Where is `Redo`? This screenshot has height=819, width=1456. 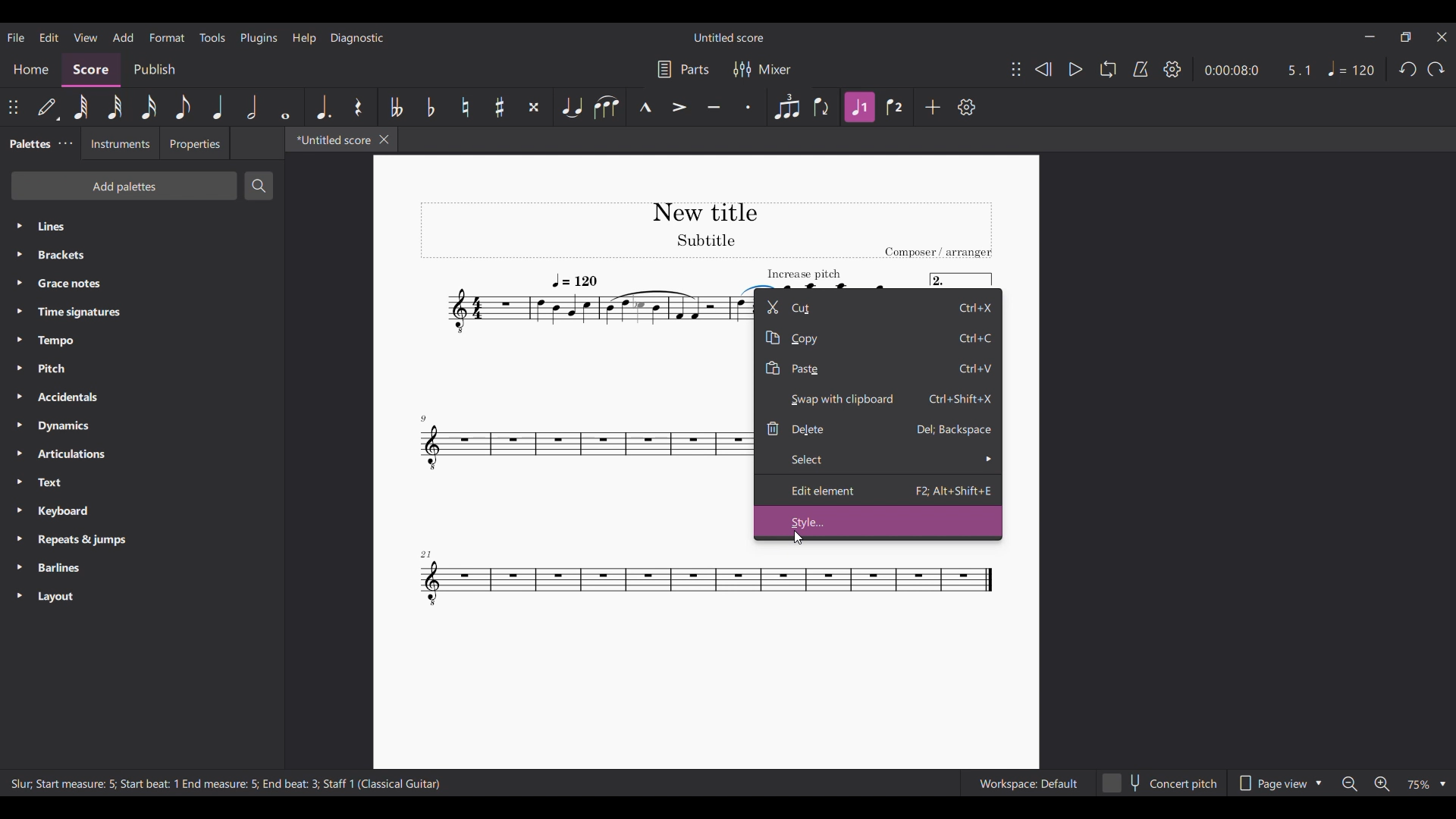
Redo is located at coordinates (1436, 69).